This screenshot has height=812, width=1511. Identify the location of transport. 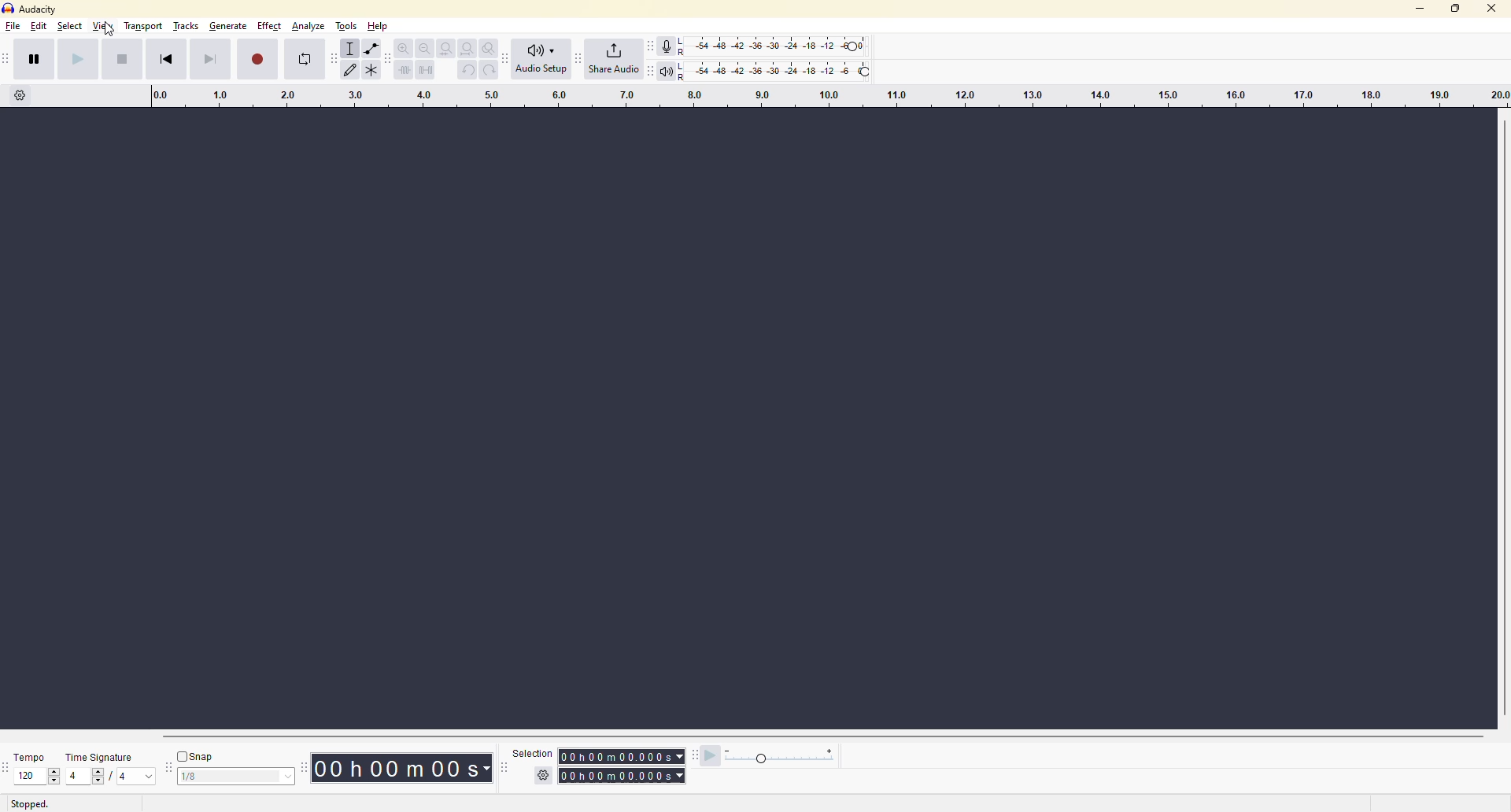
(144, 27).